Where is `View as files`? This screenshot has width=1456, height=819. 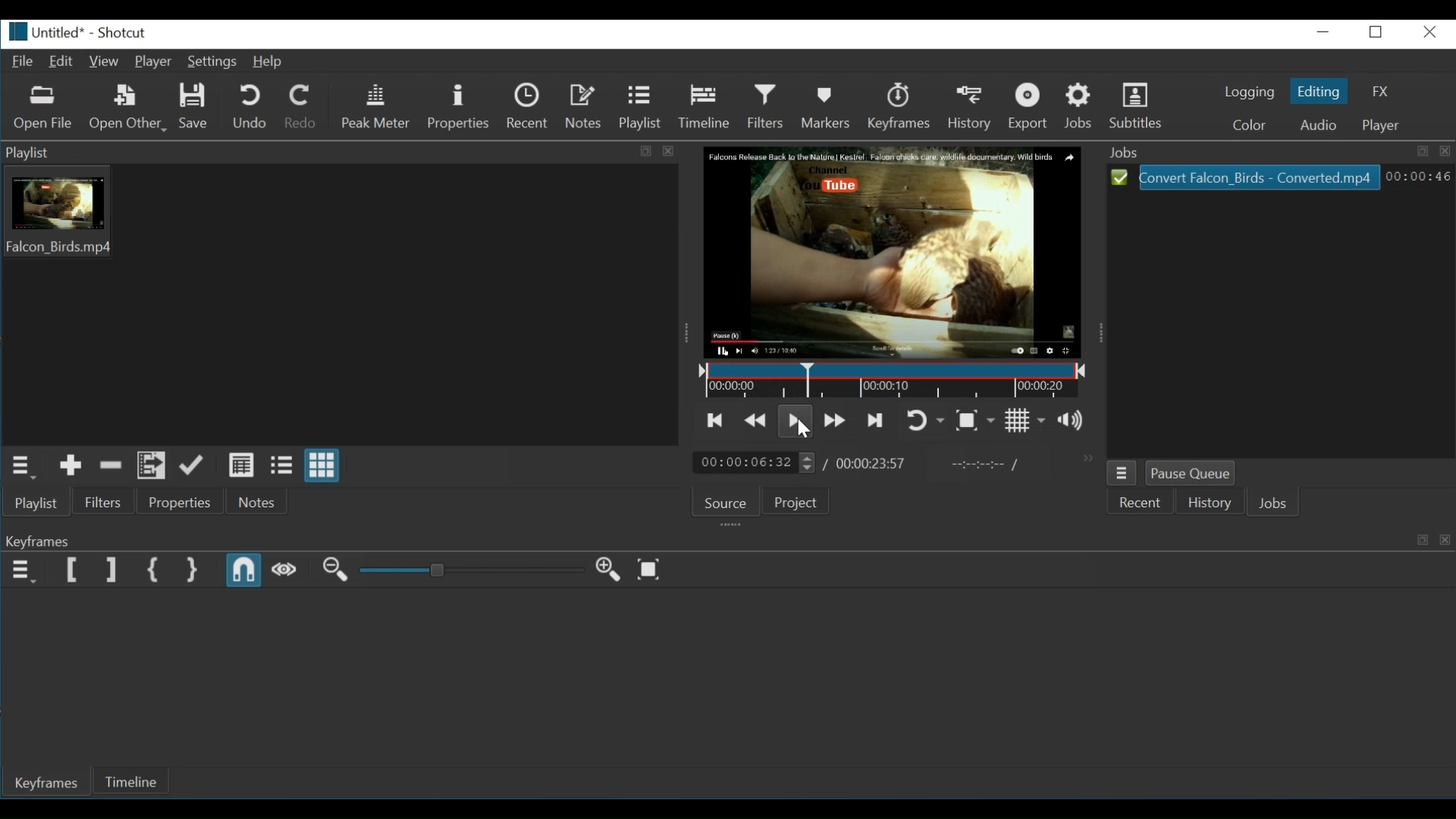 View as files is located at coordinates (281, 465).